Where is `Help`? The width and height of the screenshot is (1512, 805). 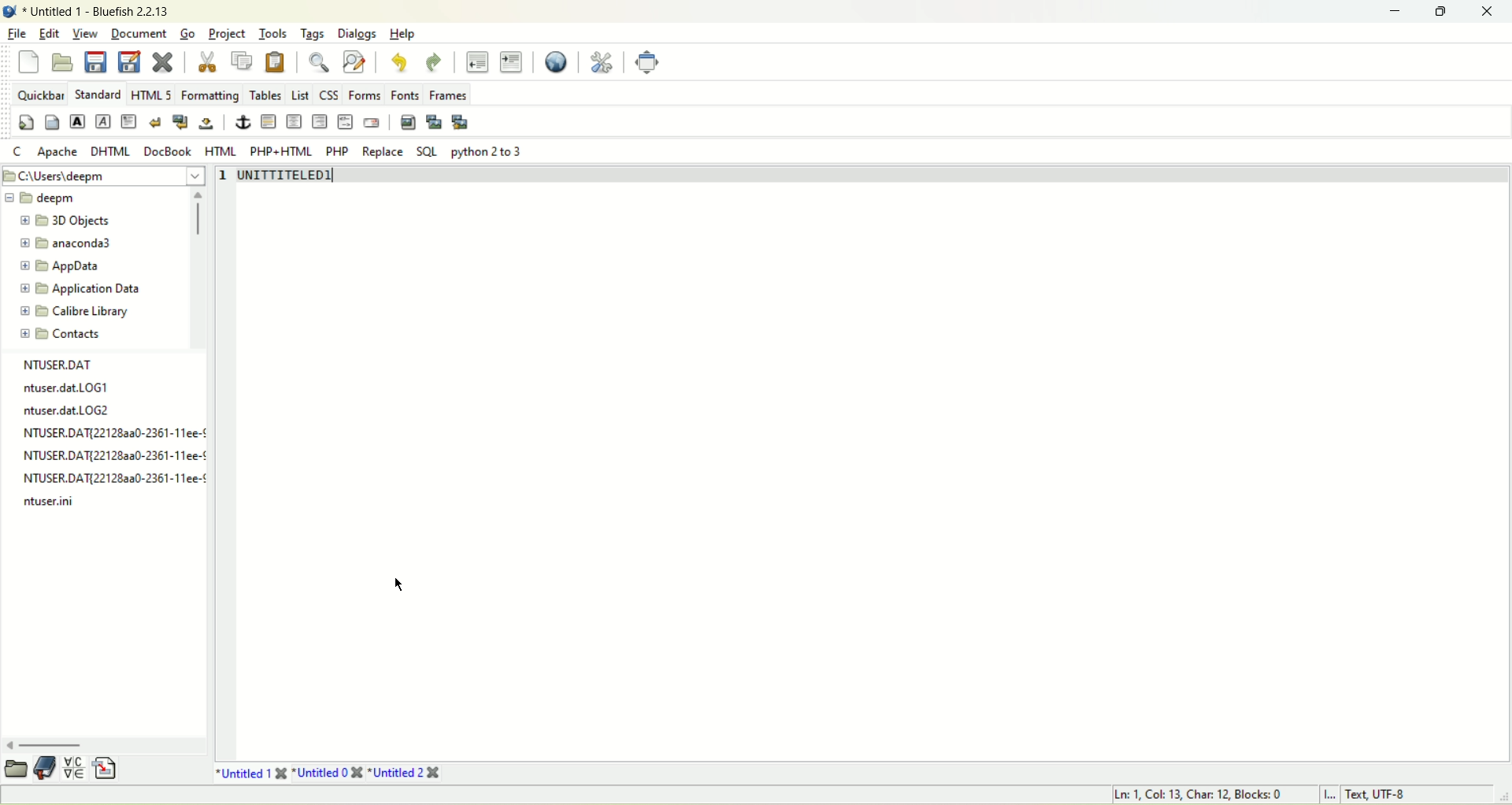
Help is located at coordinates (402, 32).